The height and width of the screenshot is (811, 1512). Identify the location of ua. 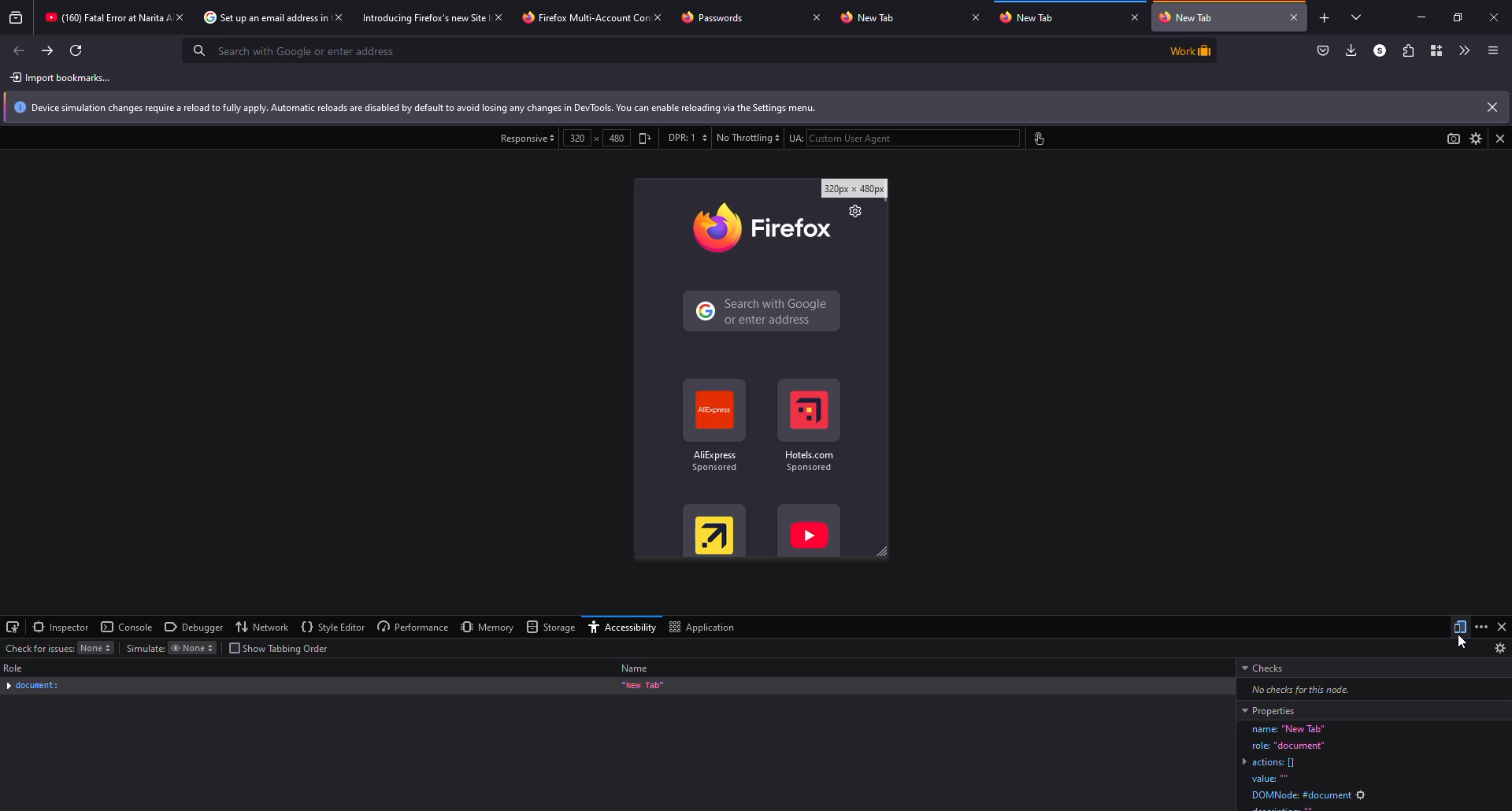
(794, 139).